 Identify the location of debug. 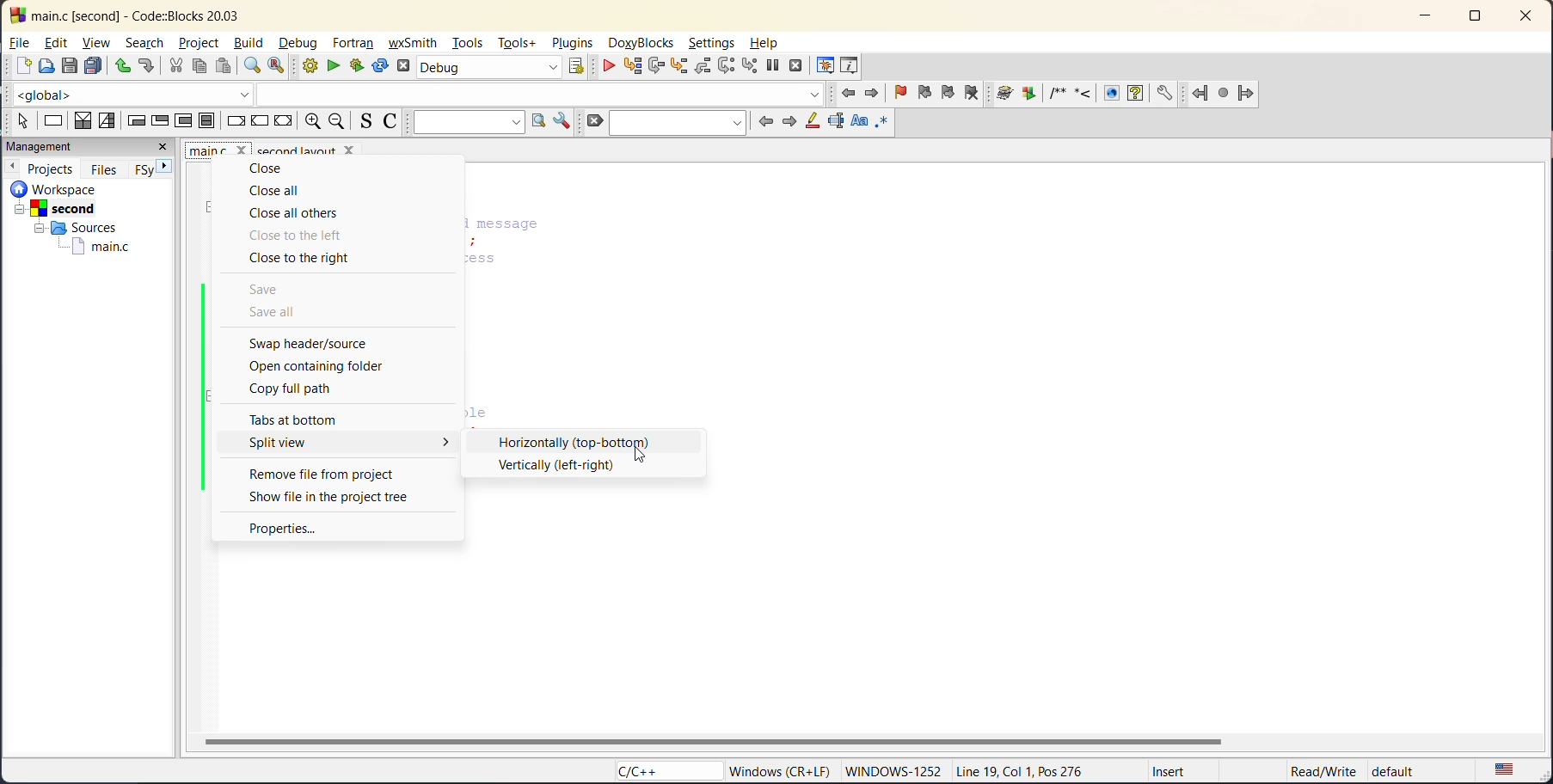
(611, 67).